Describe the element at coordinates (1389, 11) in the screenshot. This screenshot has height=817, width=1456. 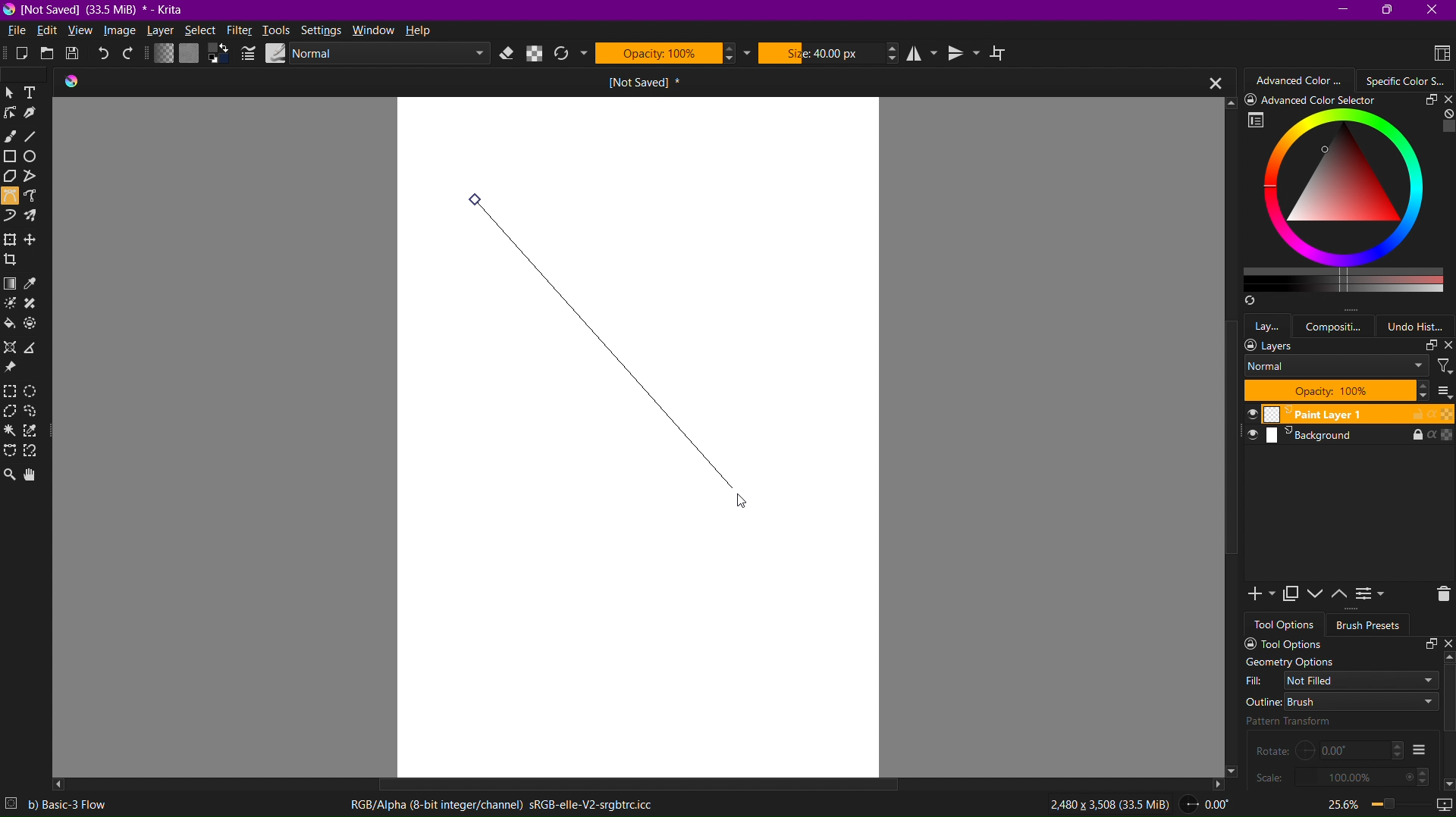
I see `Maximize` at that location.